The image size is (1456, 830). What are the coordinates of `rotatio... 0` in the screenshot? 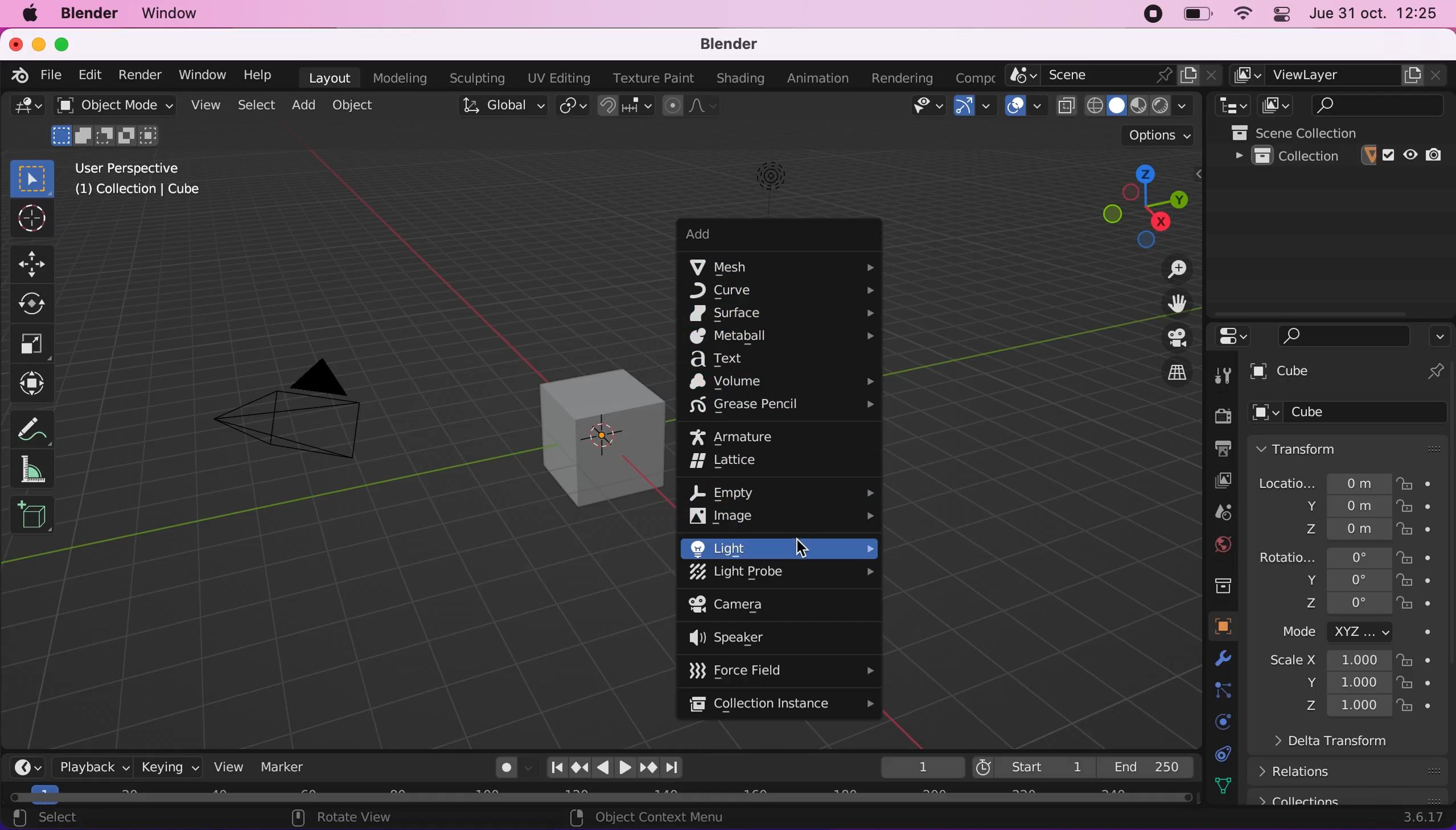 It's located at (1323, 558).